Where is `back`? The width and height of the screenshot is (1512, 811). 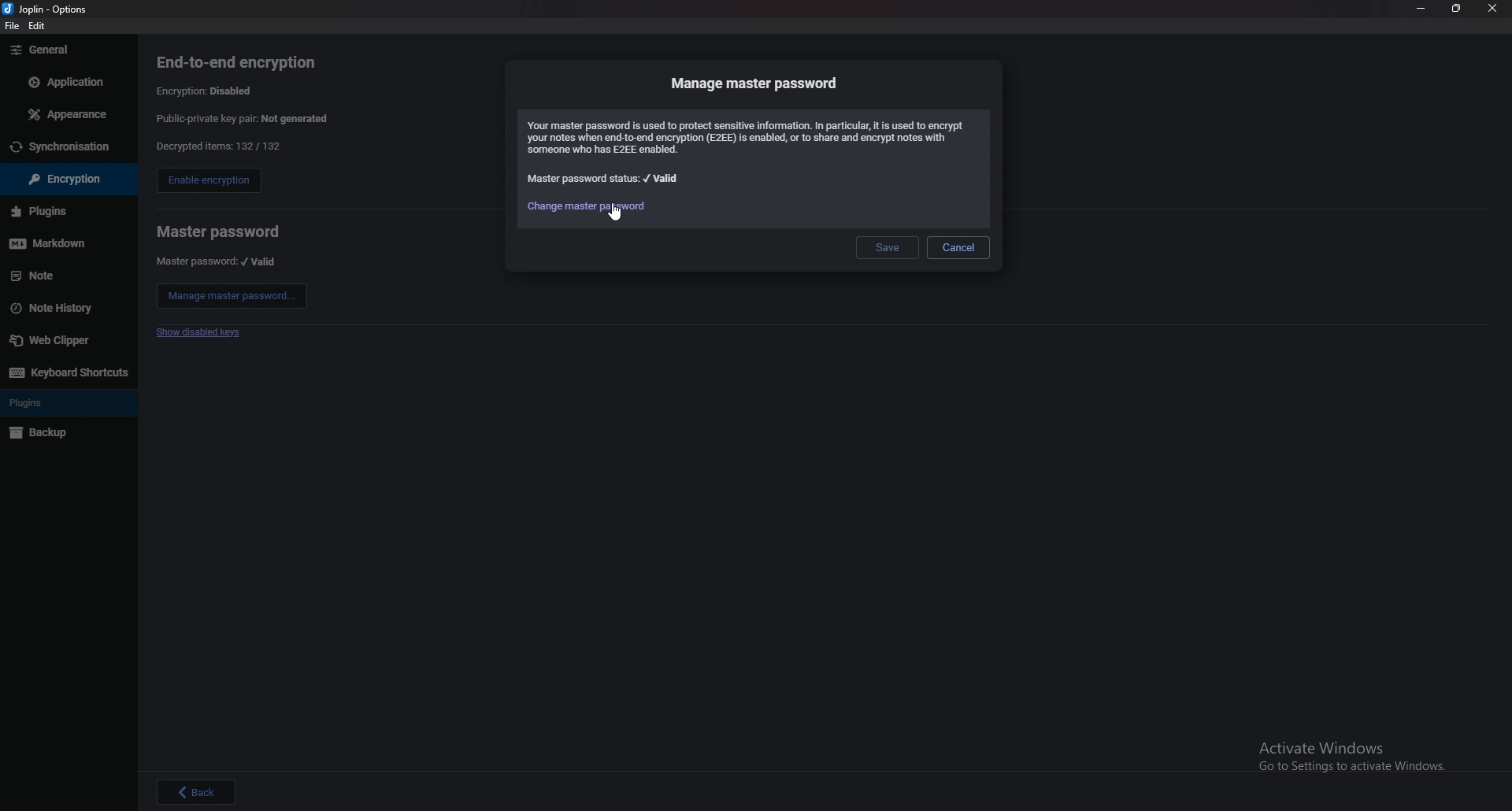 back is located at coordinates (197, 791).